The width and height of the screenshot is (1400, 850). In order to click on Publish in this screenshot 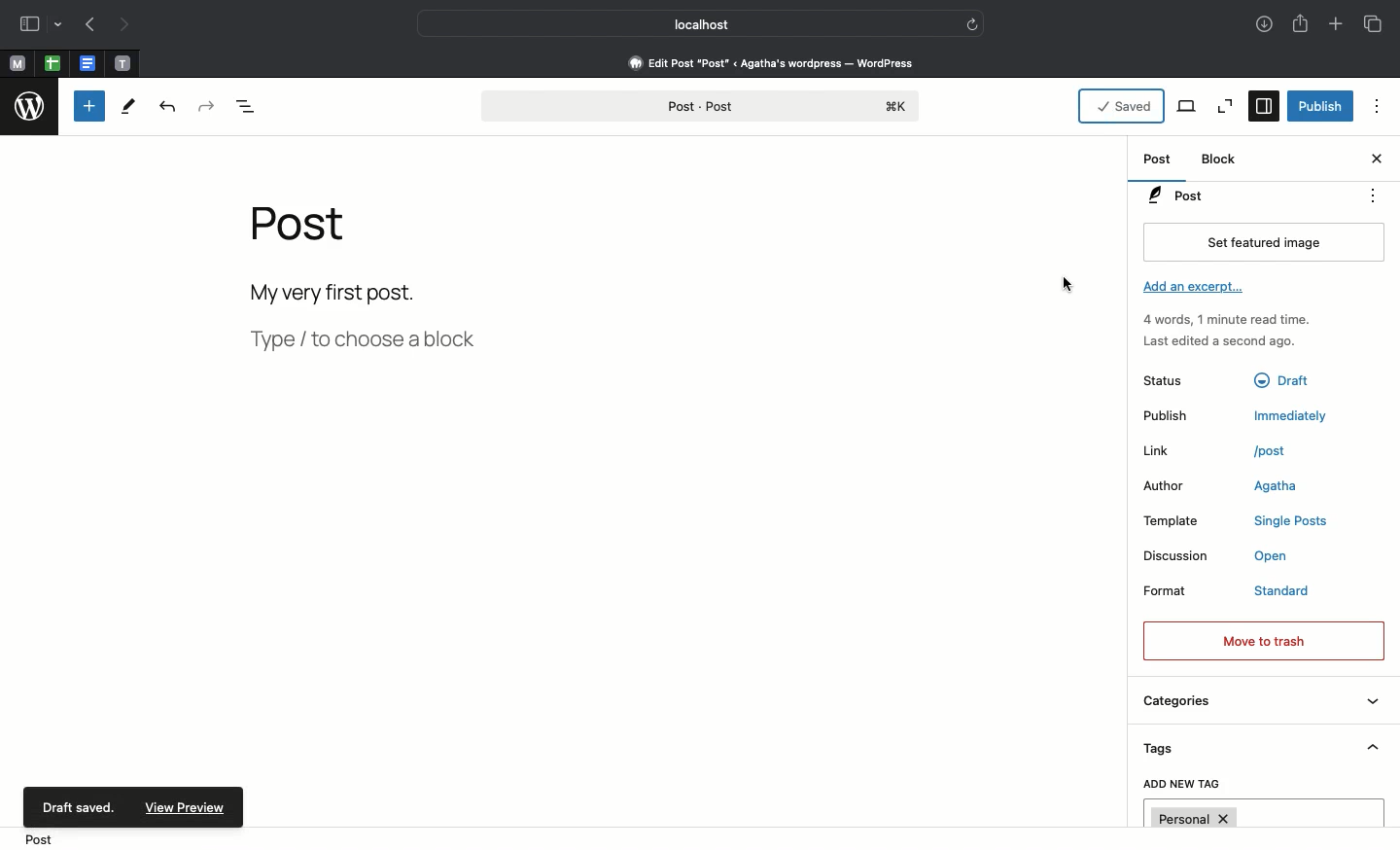, I will do `click(1319, 105)`.